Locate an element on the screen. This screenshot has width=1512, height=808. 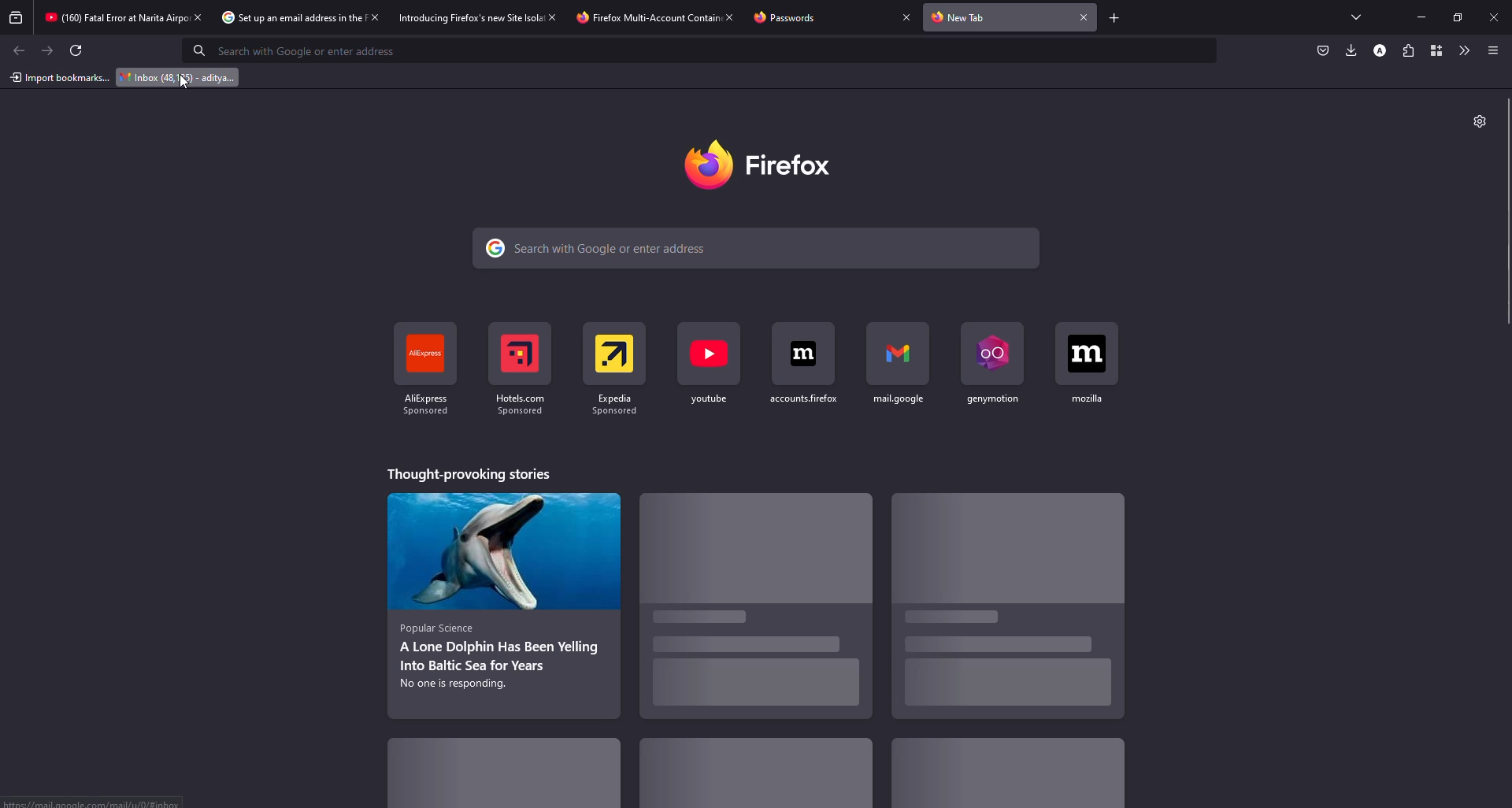
forward is located at coordinates (48, 50).